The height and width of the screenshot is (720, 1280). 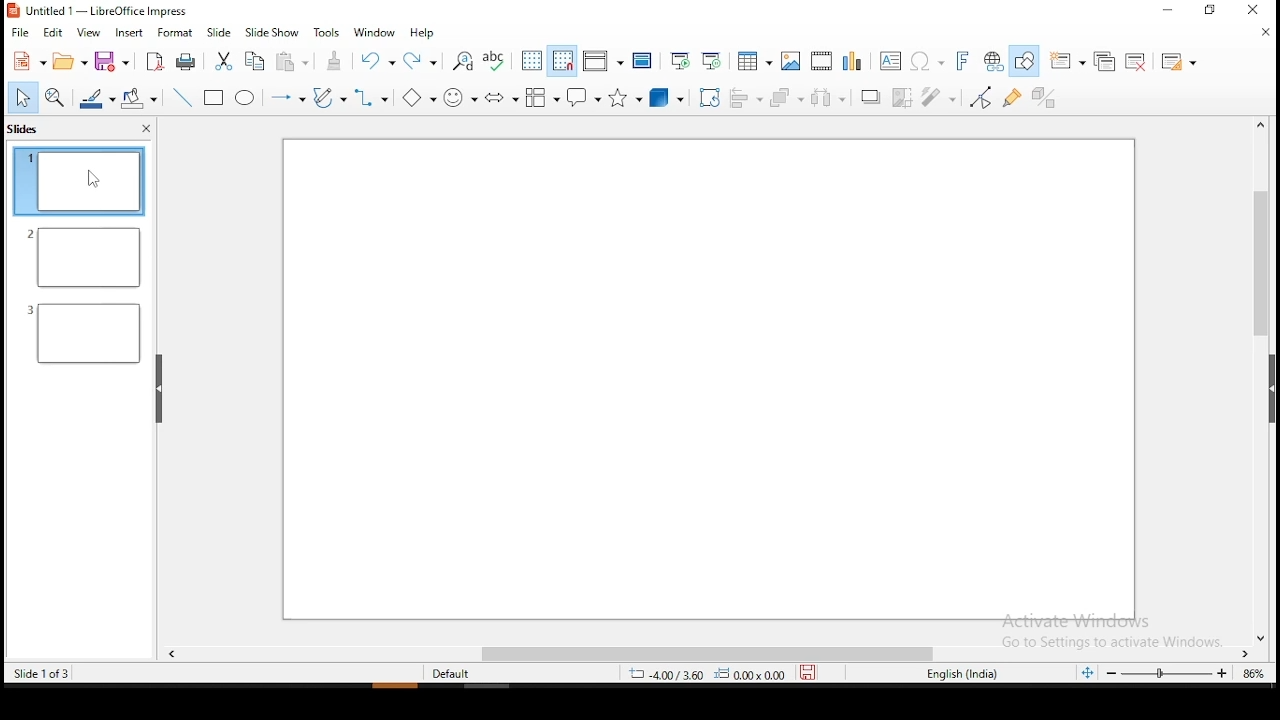 I want to click on minimize, so click(x=1156, y=12).